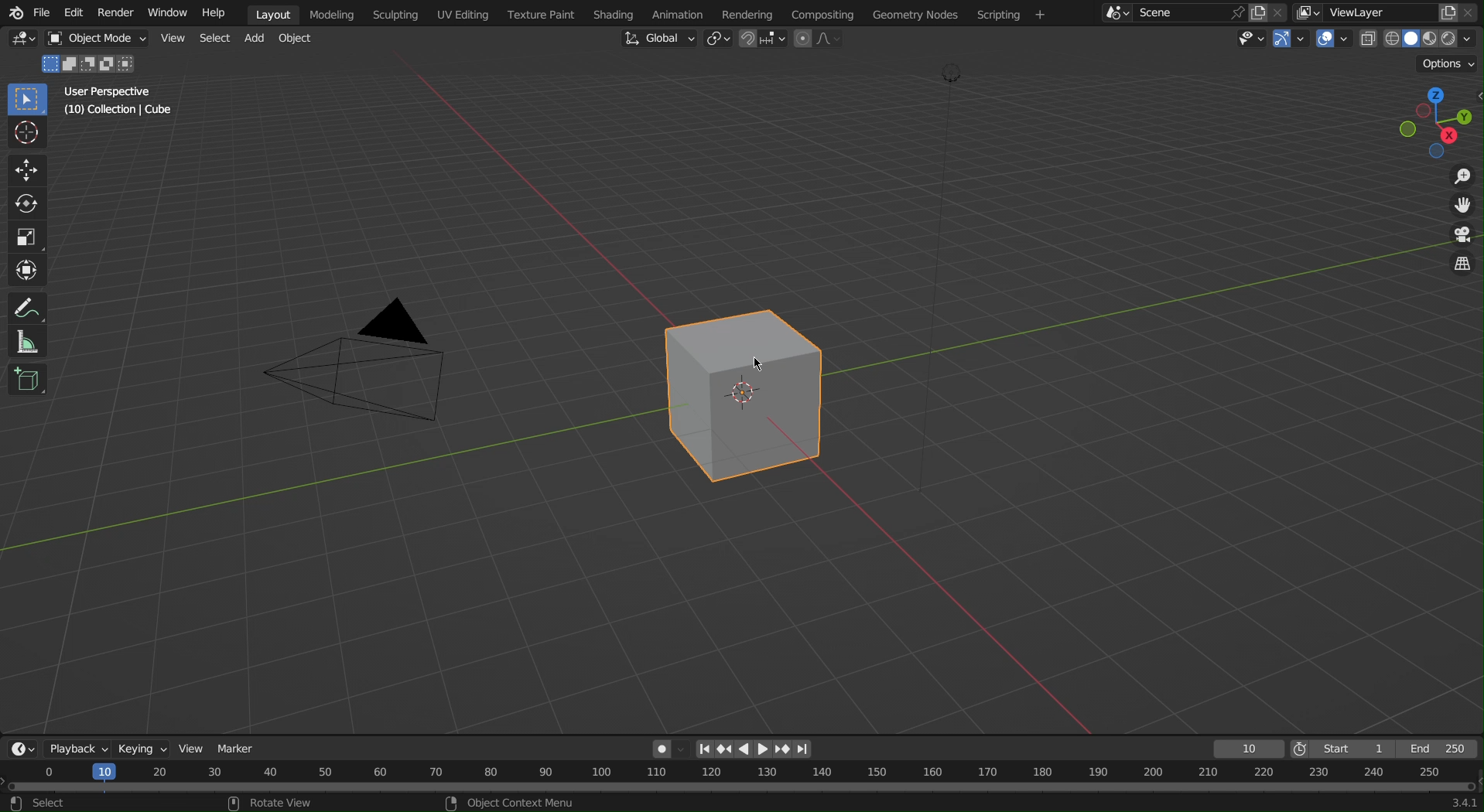 This screenshot has height=812, width=1484. Describe the element at coordinates (27, 268) in the screenshot. I see `Transform` at that location.